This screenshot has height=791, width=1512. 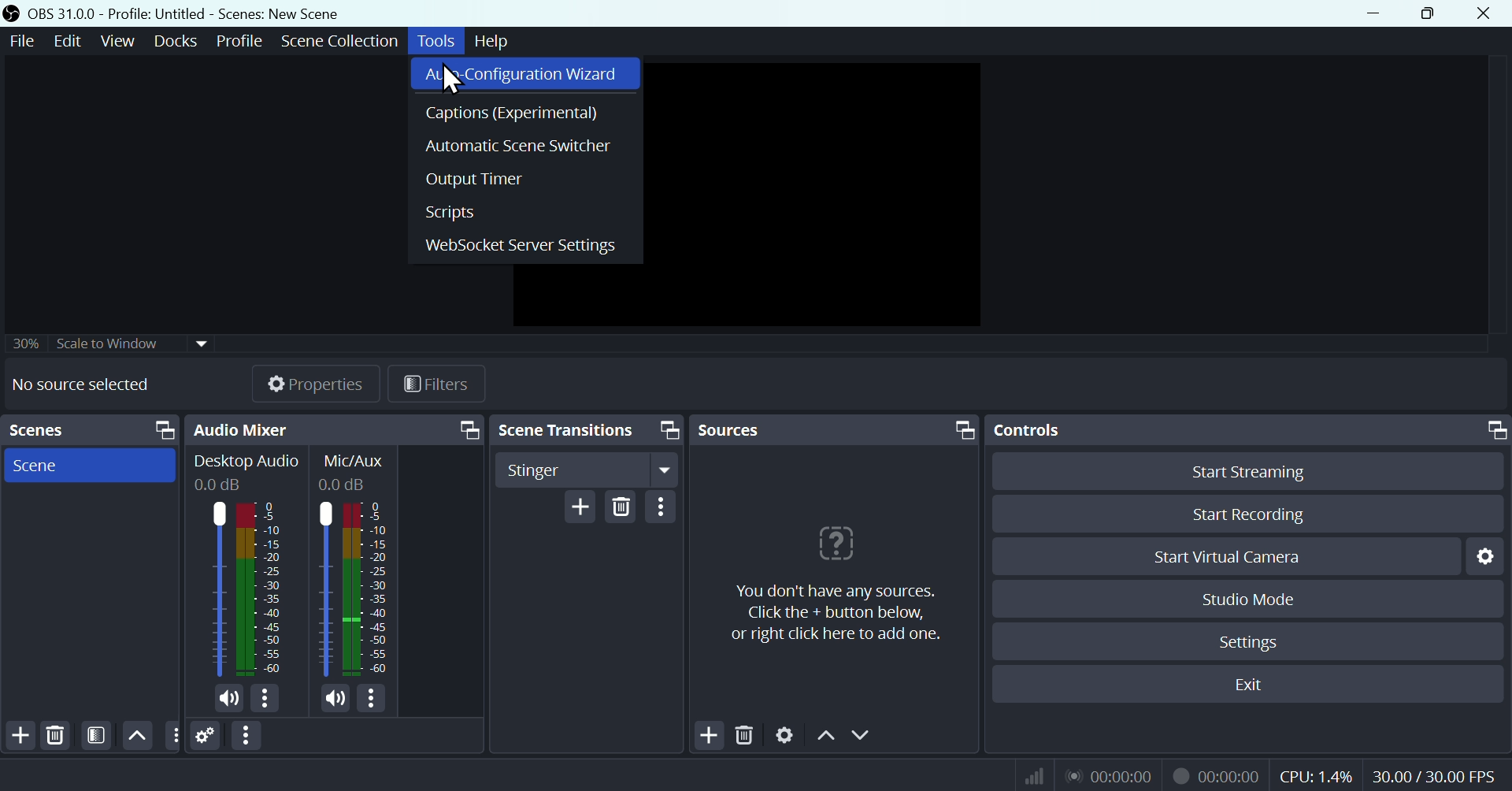 What do you see at coordinates (241, 429) in the screenshot?
I see `Audio mixer` at bounding box center [241, 429].